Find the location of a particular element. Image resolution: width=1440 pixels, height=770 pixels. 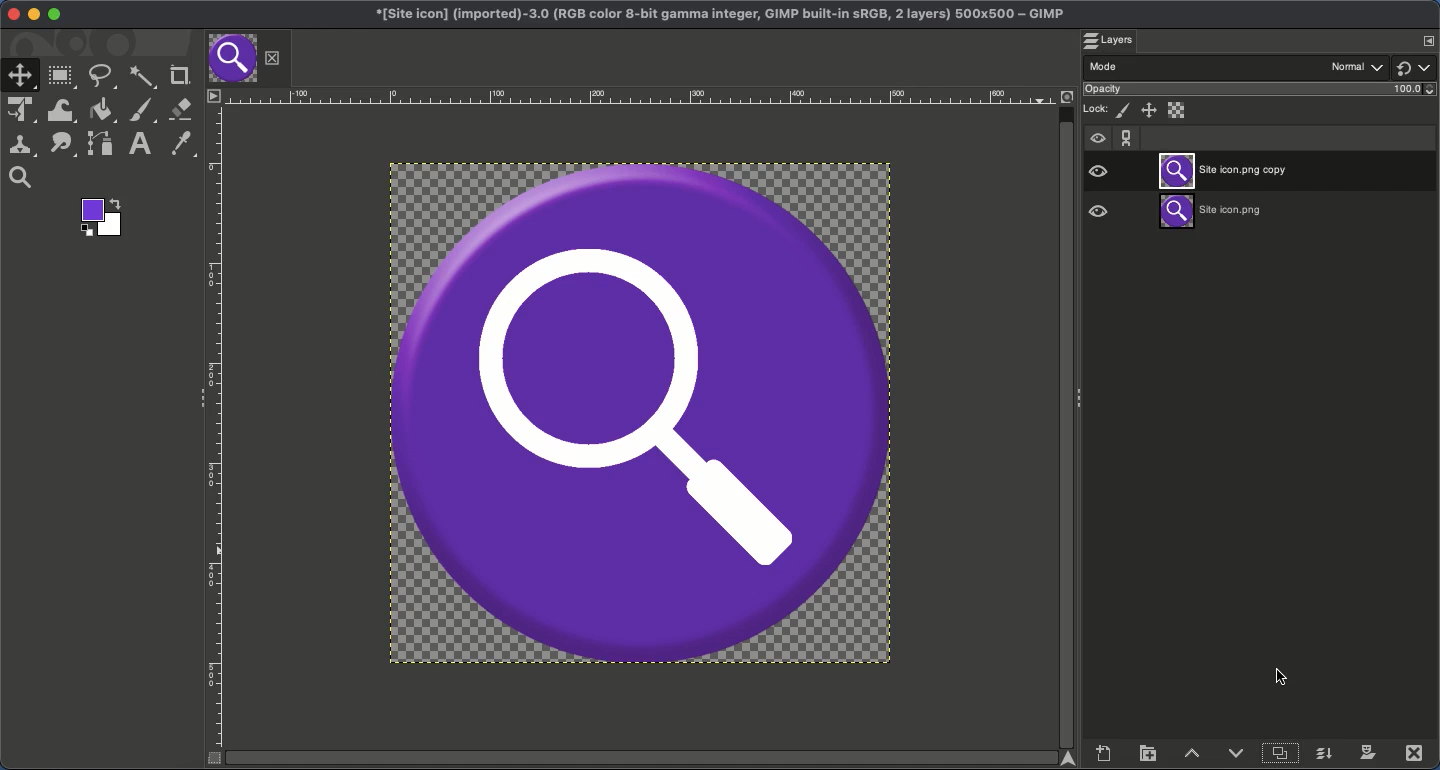

Eraser is located at coordinates (179, 109).